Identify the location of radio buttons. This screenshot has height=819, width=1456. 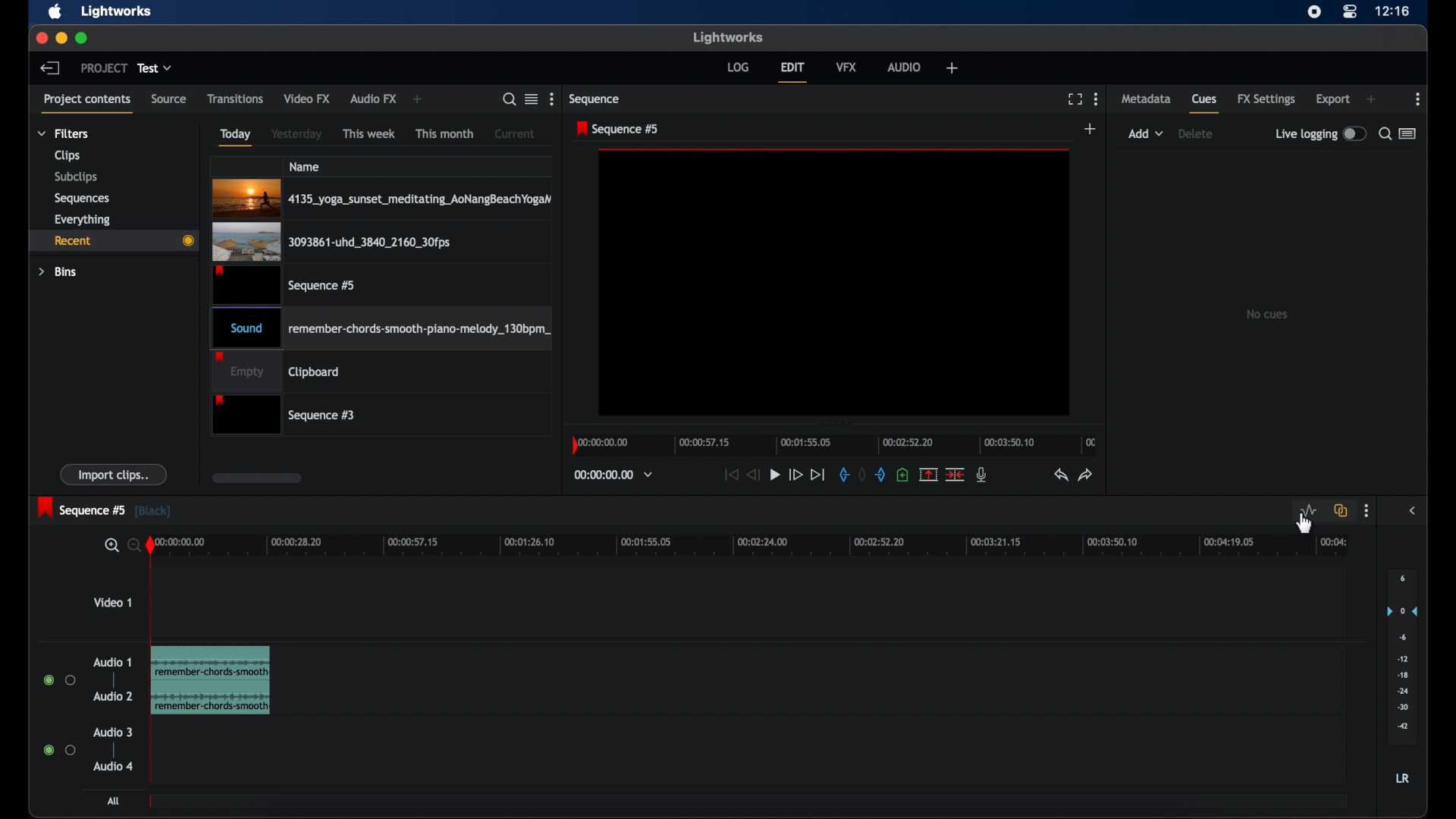
(60, 680).